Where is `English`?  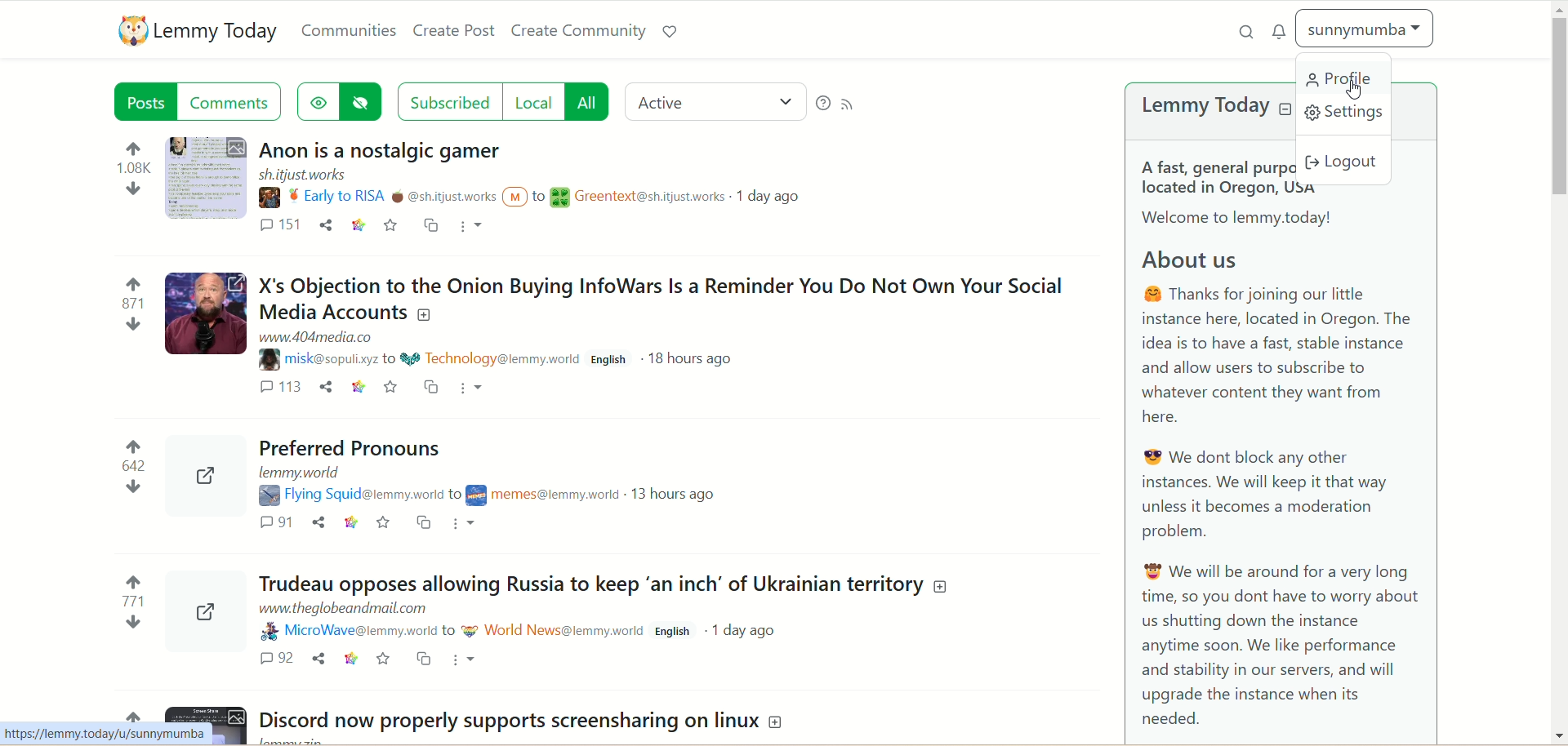 English is located at coordinates (670, 632).